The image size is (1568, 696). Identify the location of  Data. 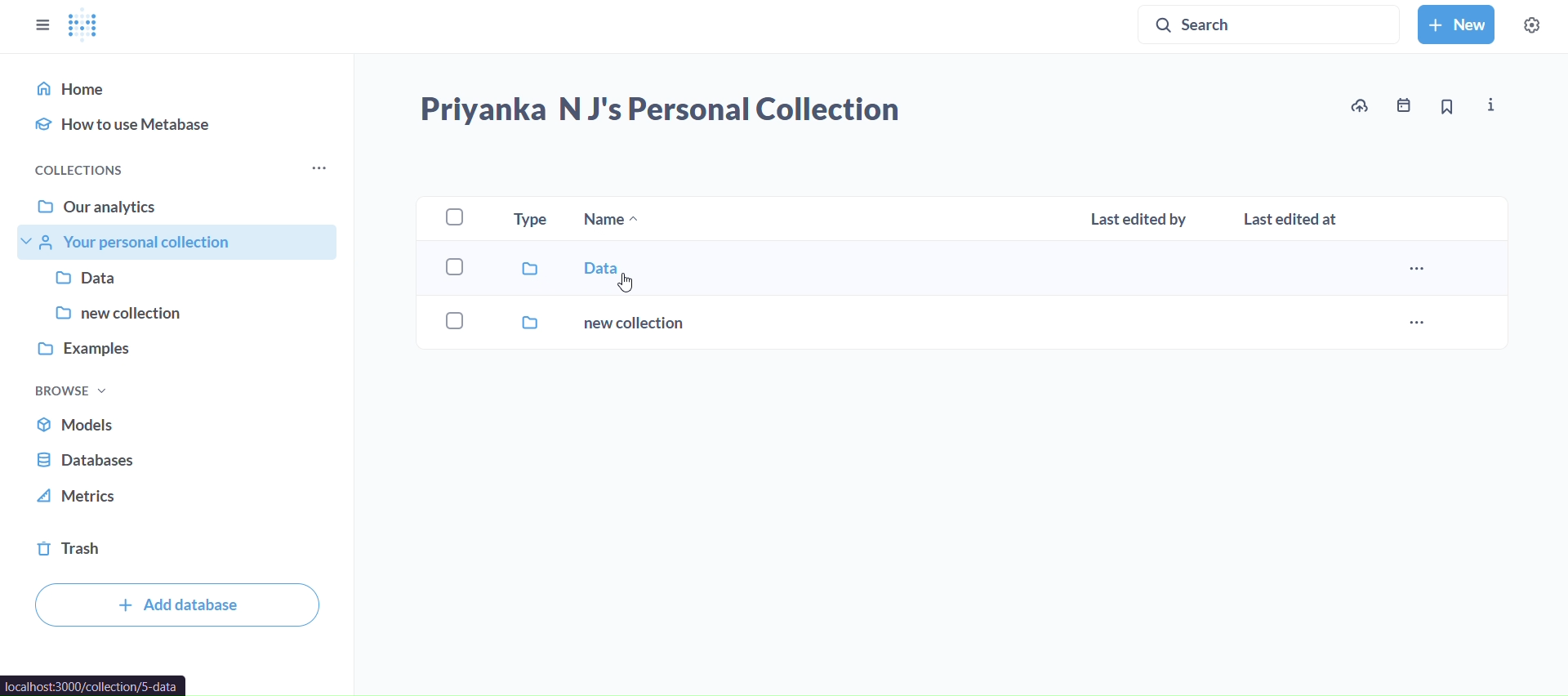
(185, 280).